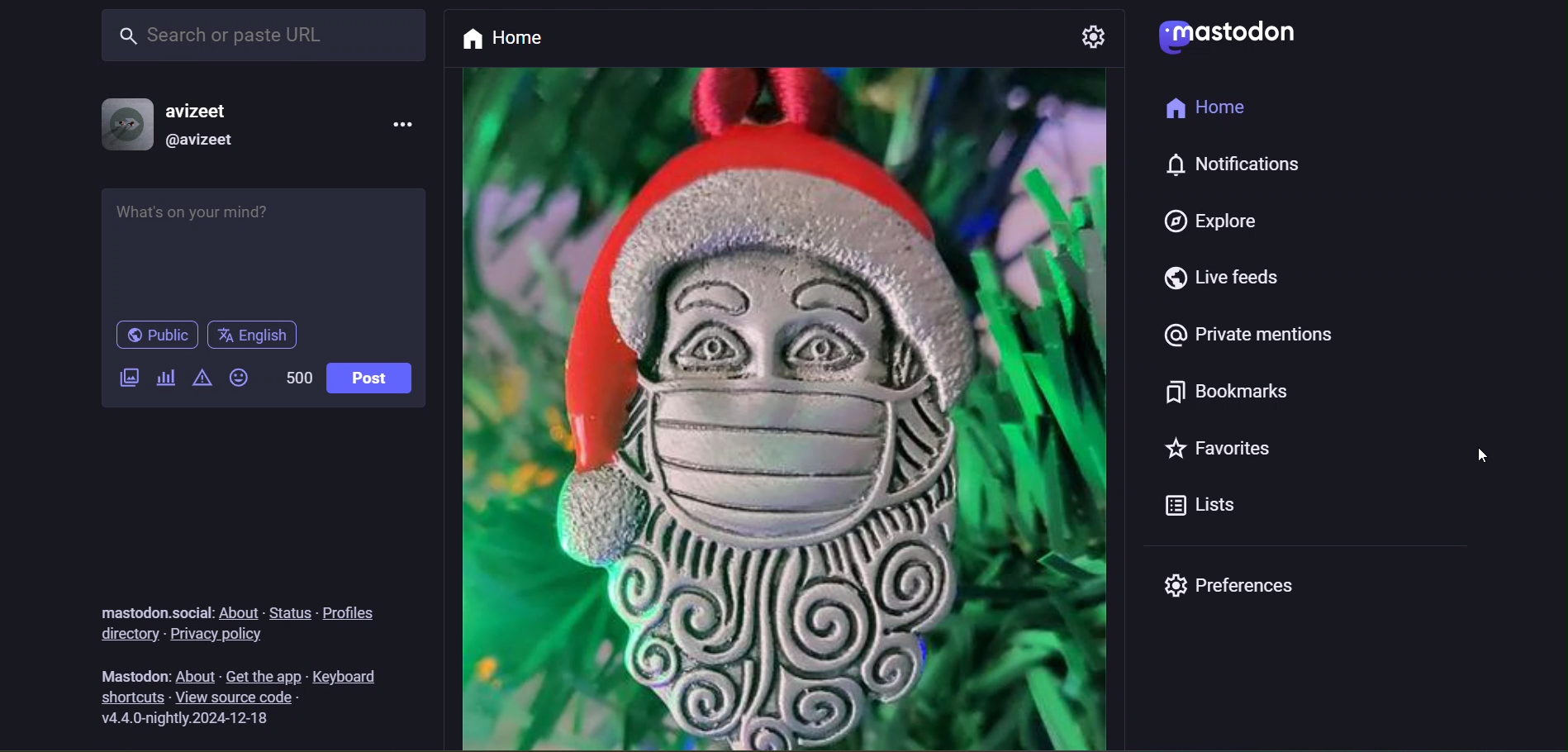 This screenshot has width=1568, height=752. Describe the element at coordinates (264, 35) in the screenshot. I see `search` at that location.